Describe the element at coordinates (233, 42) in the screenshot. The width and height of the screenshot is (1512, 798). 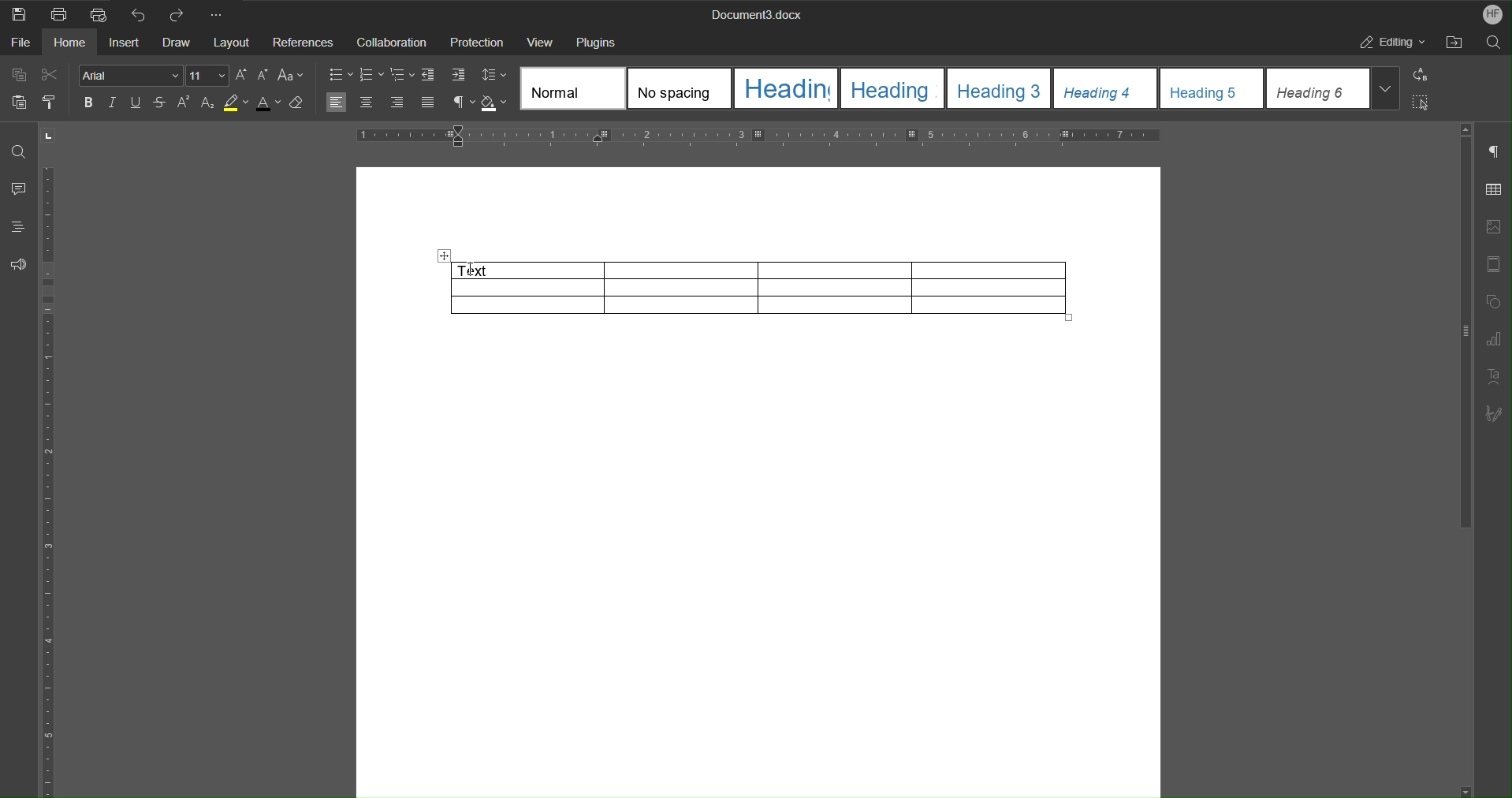
I see `Layout` at that location.